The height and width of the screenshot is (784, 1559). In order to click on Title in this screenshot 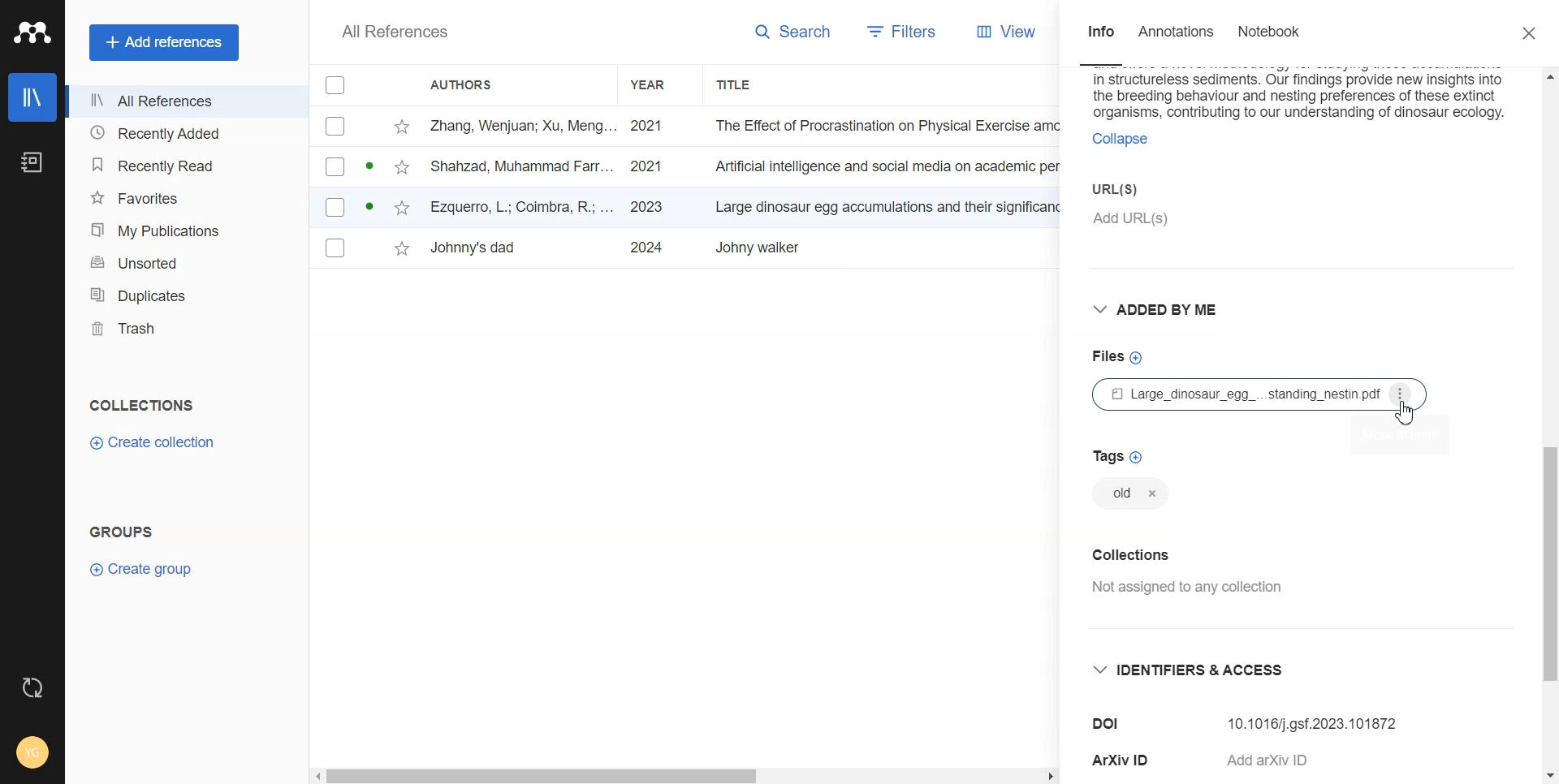, I will do `click(876, 248)`.